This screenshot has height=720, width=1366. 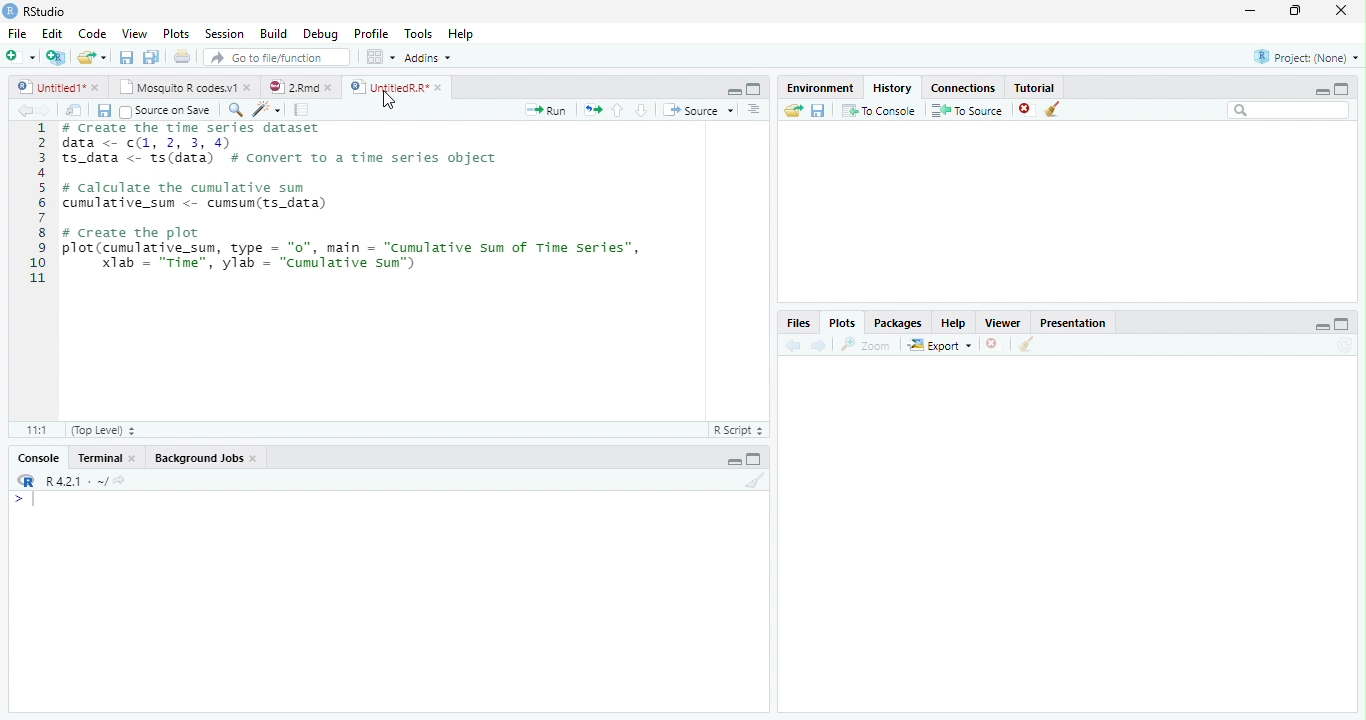 I want to click on Console, so click(x=38, y=456).